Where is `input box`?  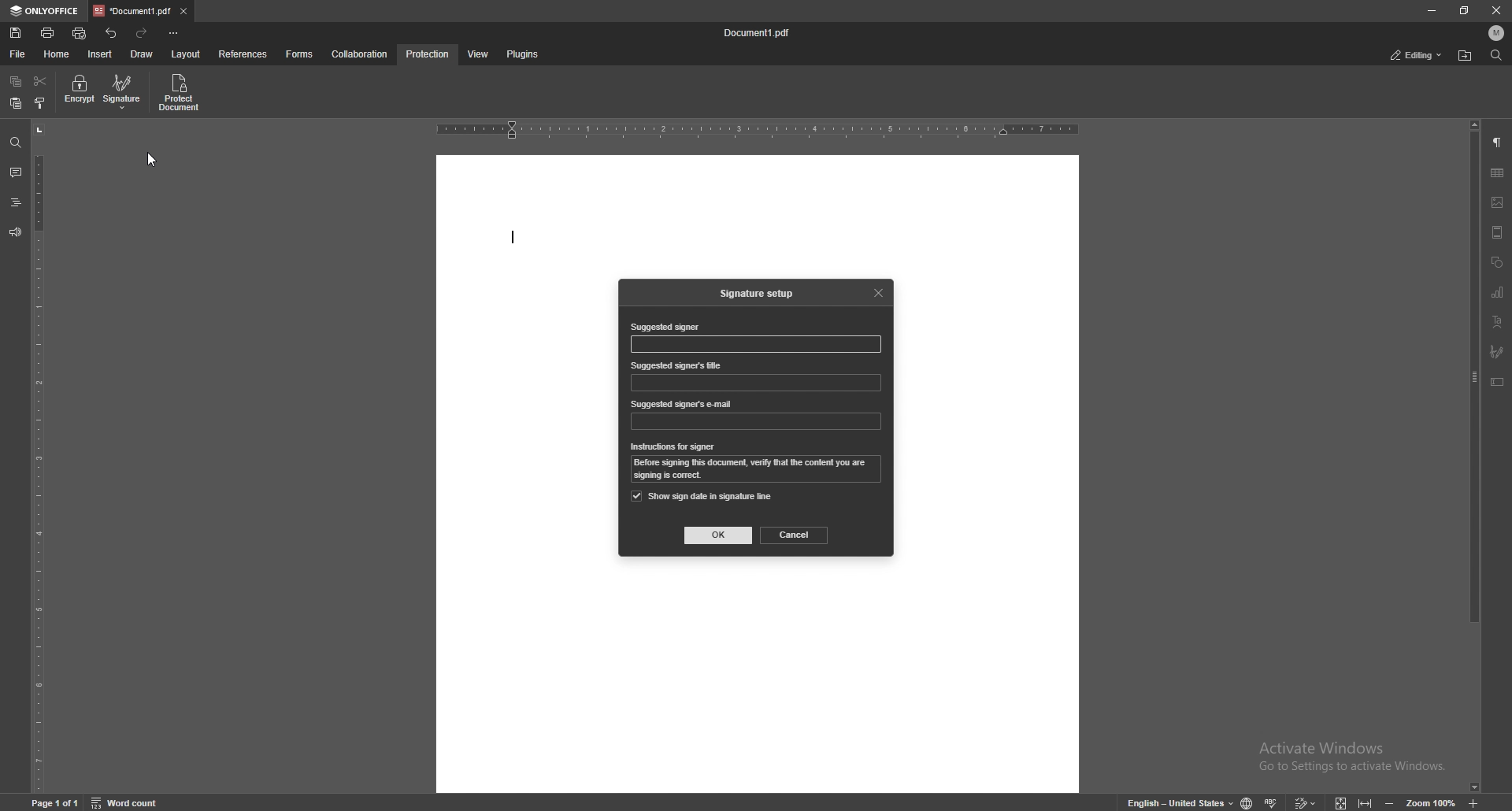
input box is located at coordinates (756, 383).